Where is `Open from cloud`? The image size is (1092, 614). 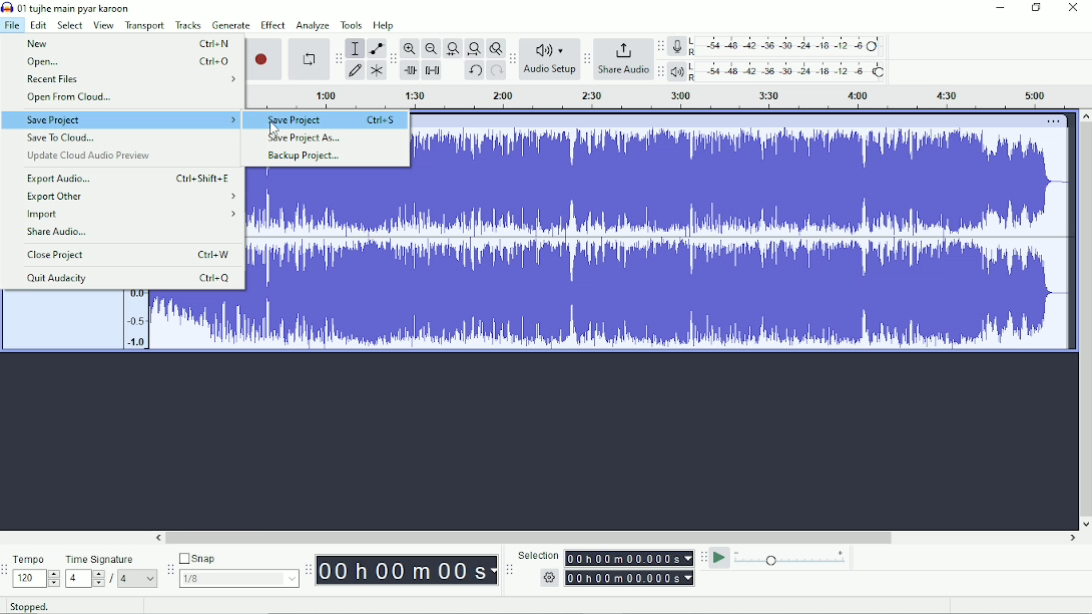 Open from cloud is located at coordinates (76, 99).